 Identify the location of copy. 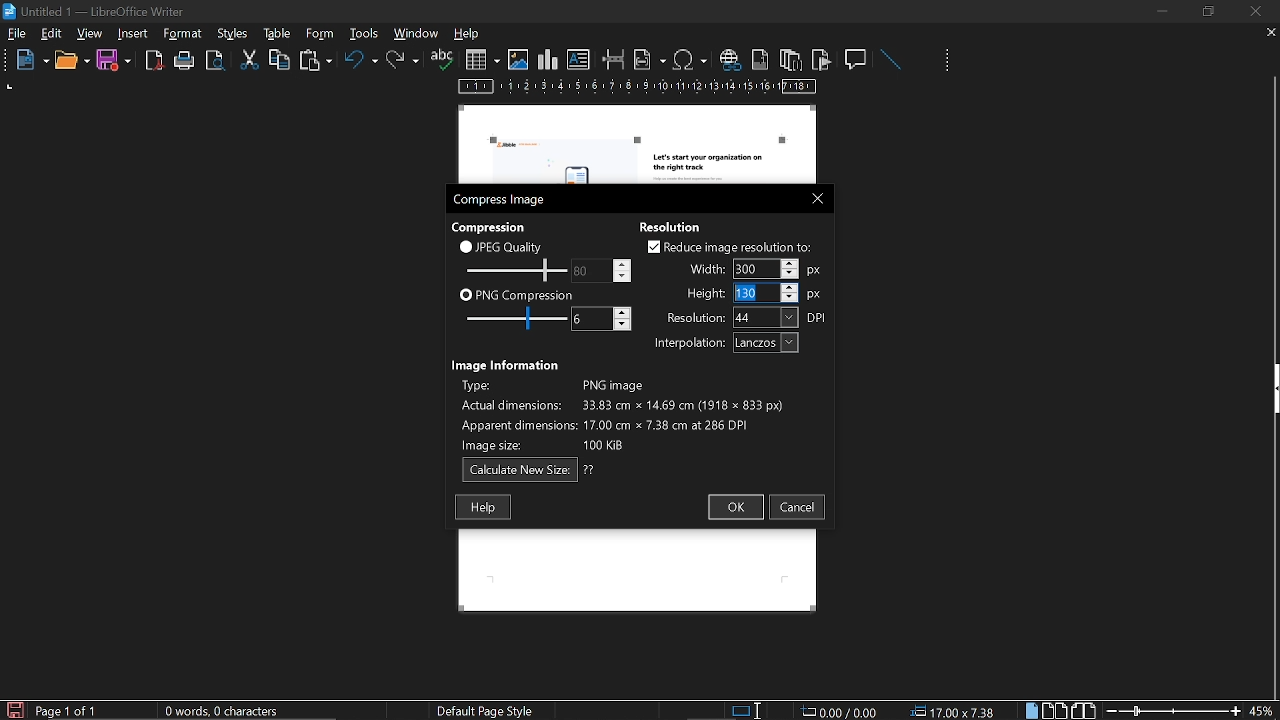
(279, 59).